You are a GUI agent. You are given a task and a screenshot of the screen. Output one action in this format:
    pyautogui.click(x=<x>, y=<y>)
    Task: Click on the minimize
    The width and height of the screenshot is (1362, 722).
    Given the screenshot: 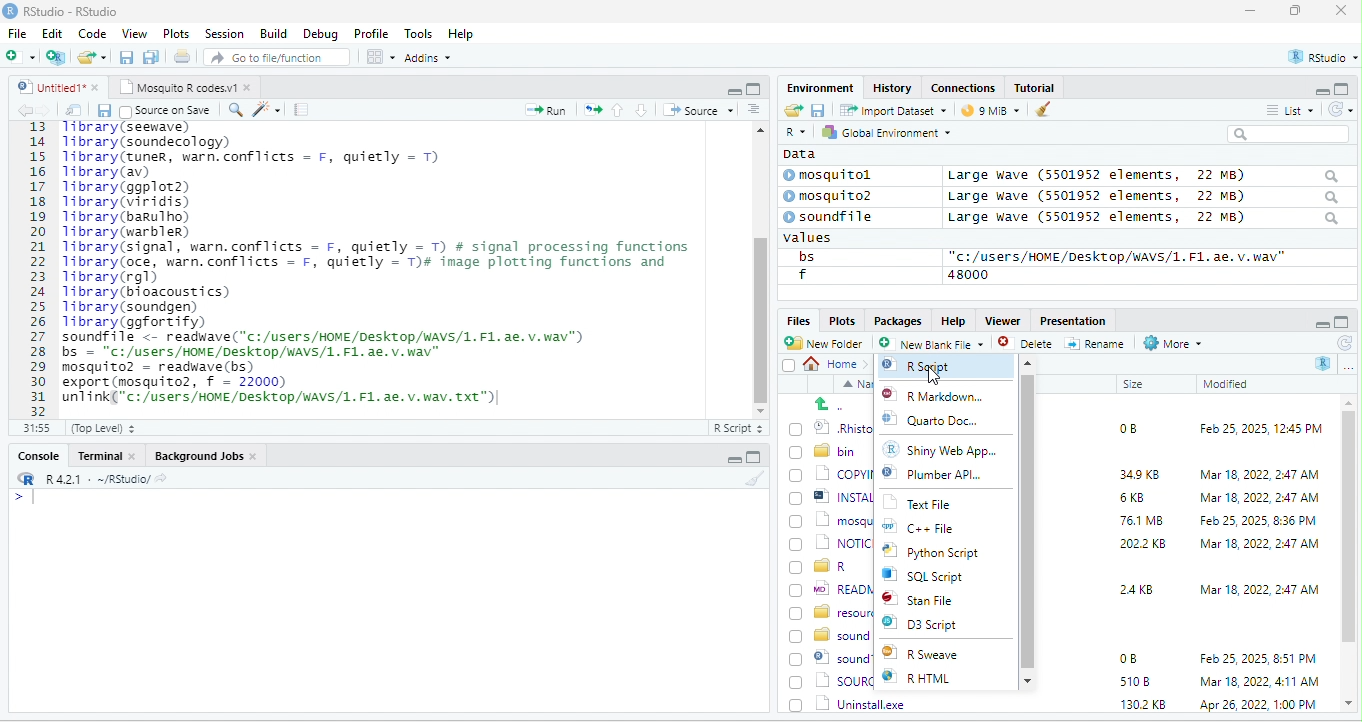 What is the action you would take?
    pyautogui.click(x=1250, y=12)
    